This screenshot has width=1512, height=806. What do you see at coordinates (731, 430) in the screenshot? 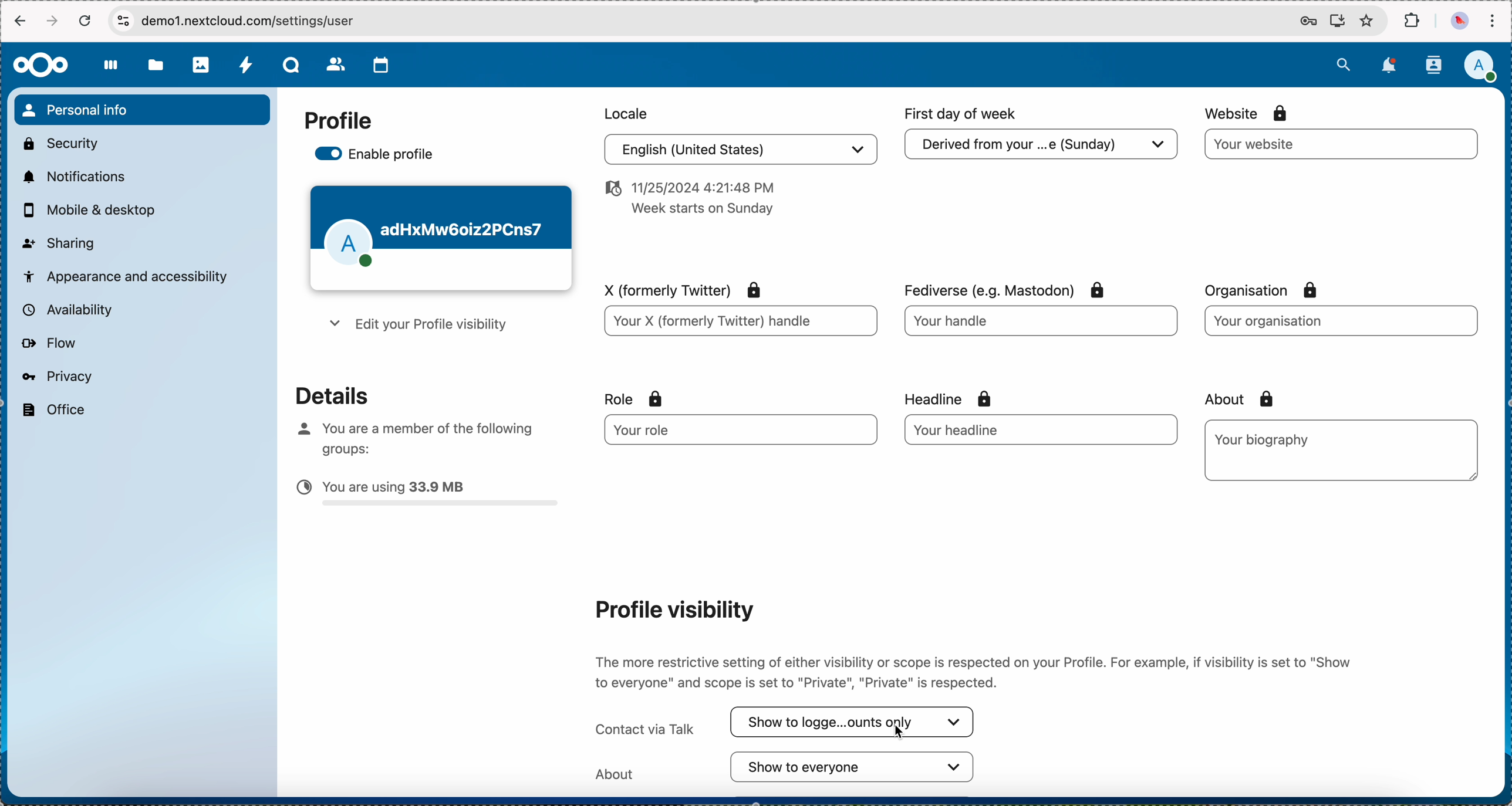
I see `your role` at bounding box center [731, 430].